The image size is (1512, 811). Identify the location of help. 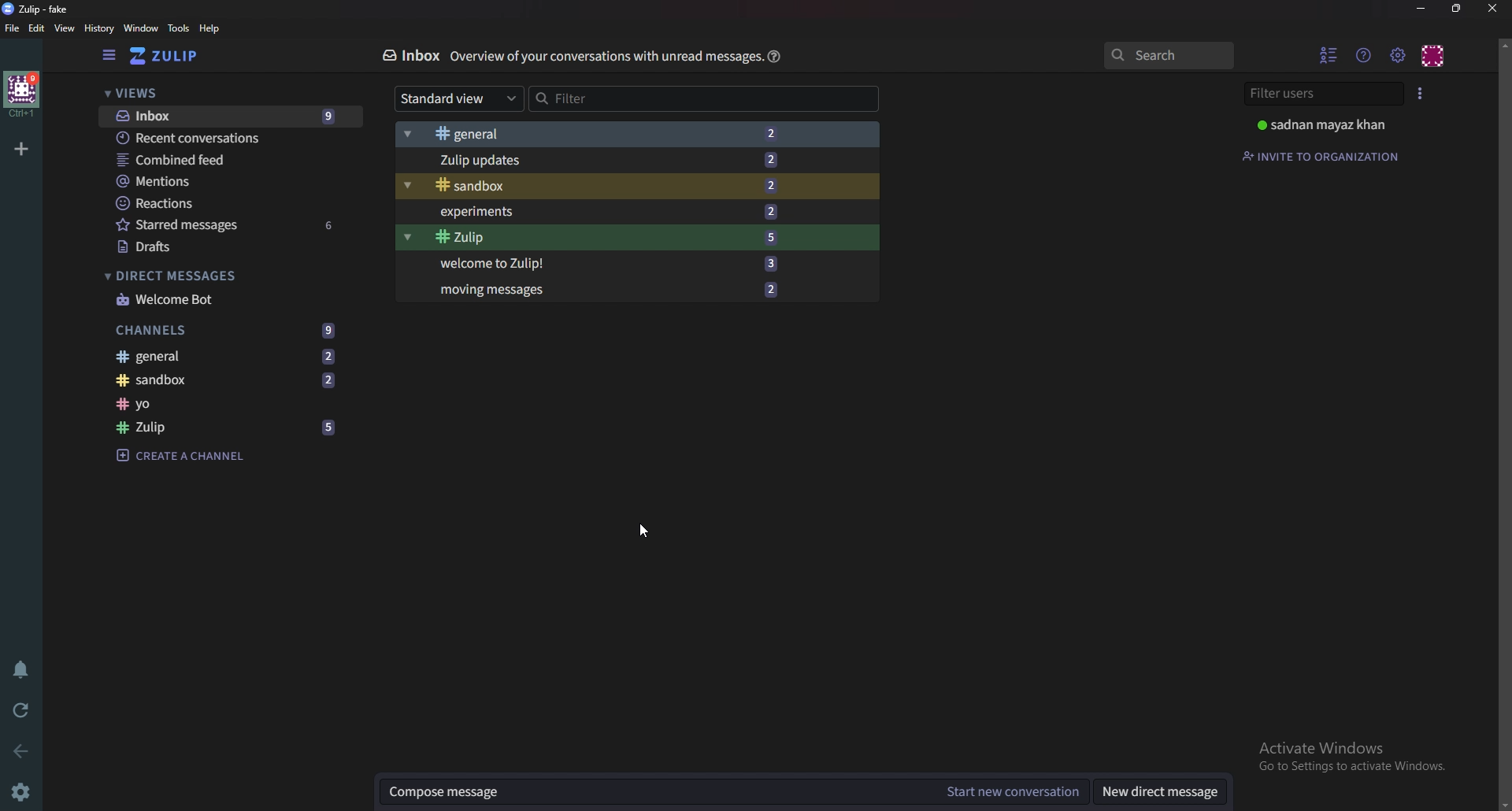
(213, 30).